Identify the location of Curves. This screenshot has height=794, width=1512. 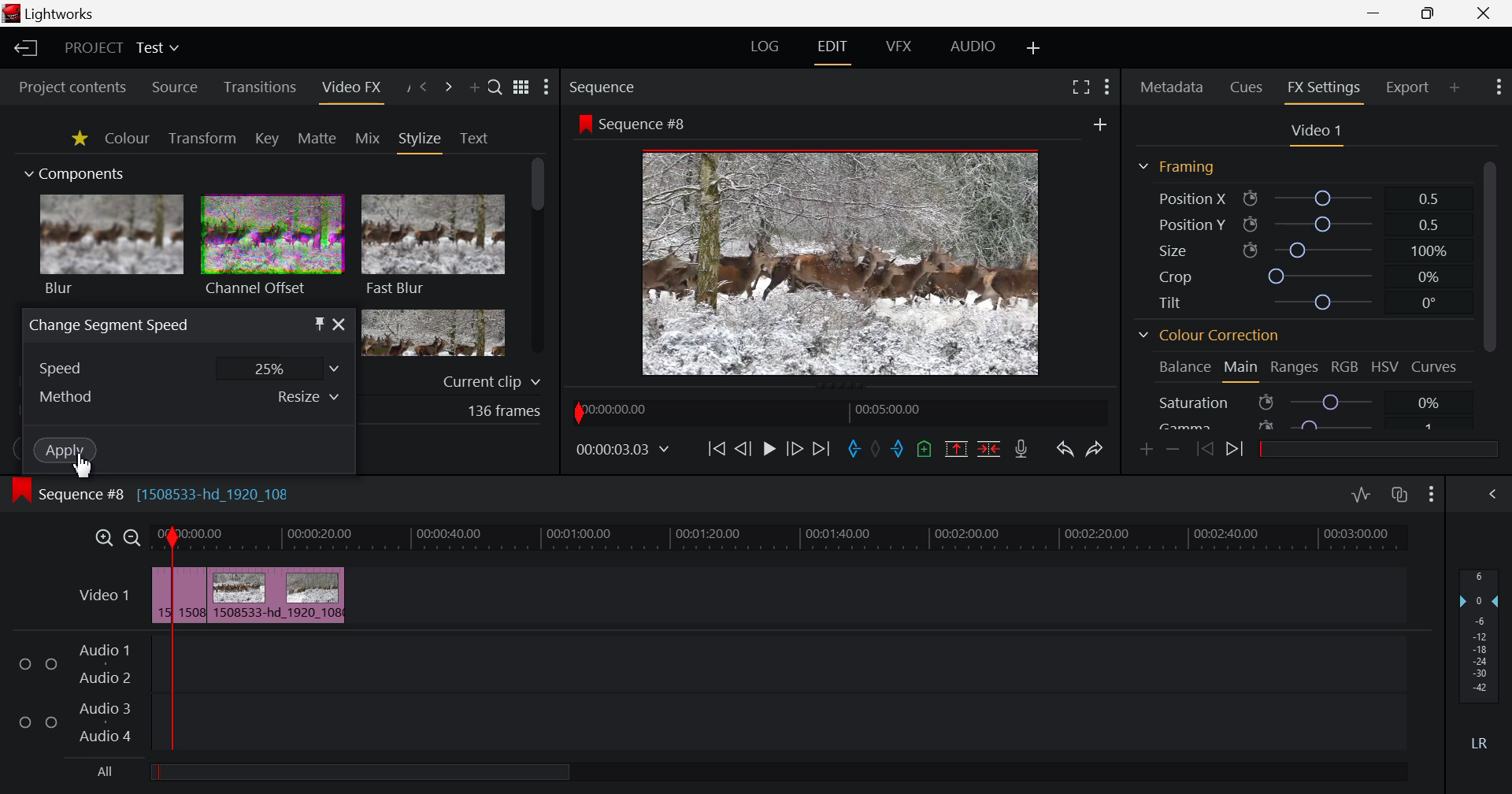
(1436, 366).